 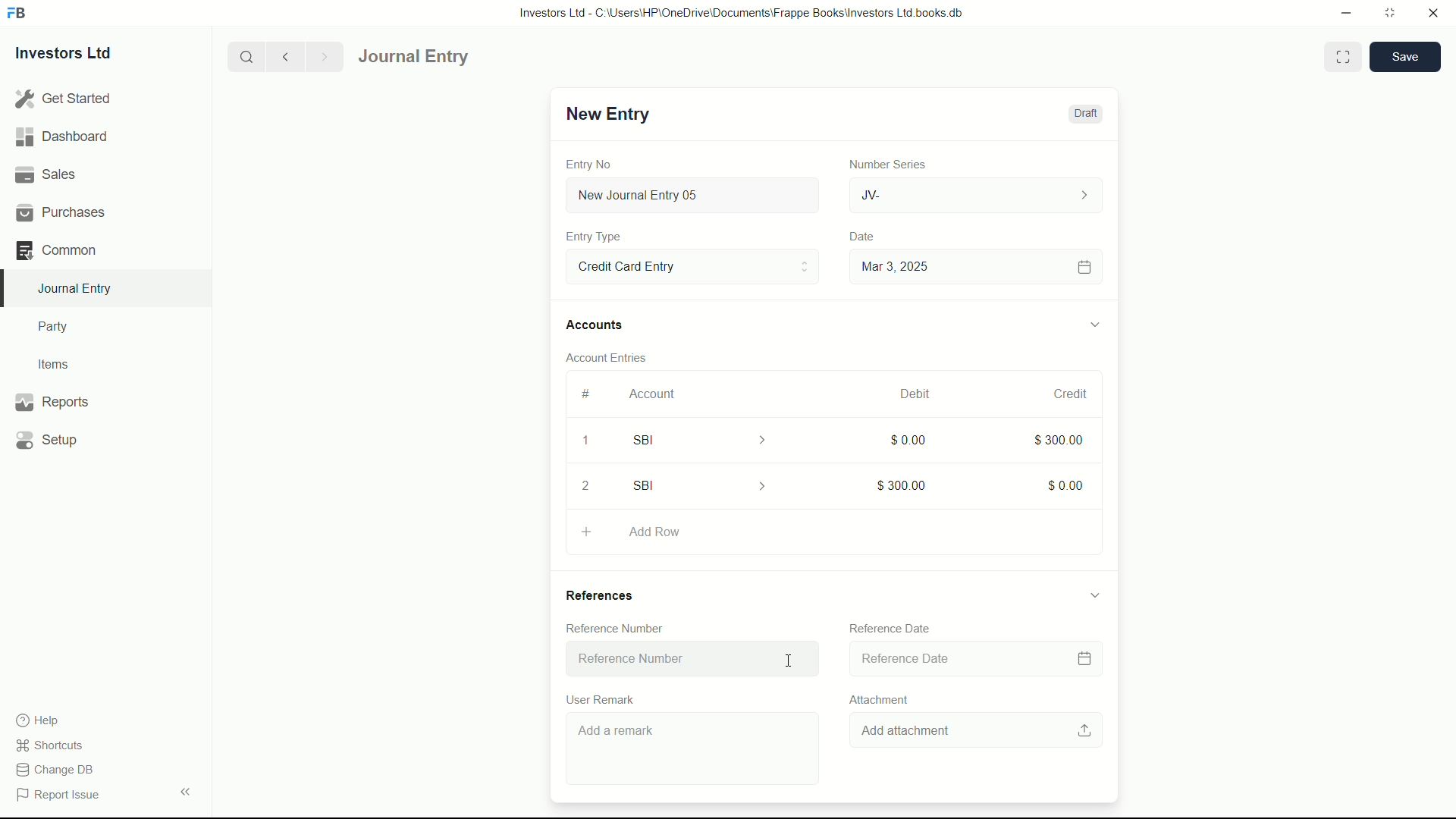 I want to click on SBI, so click(x=704, y=485).